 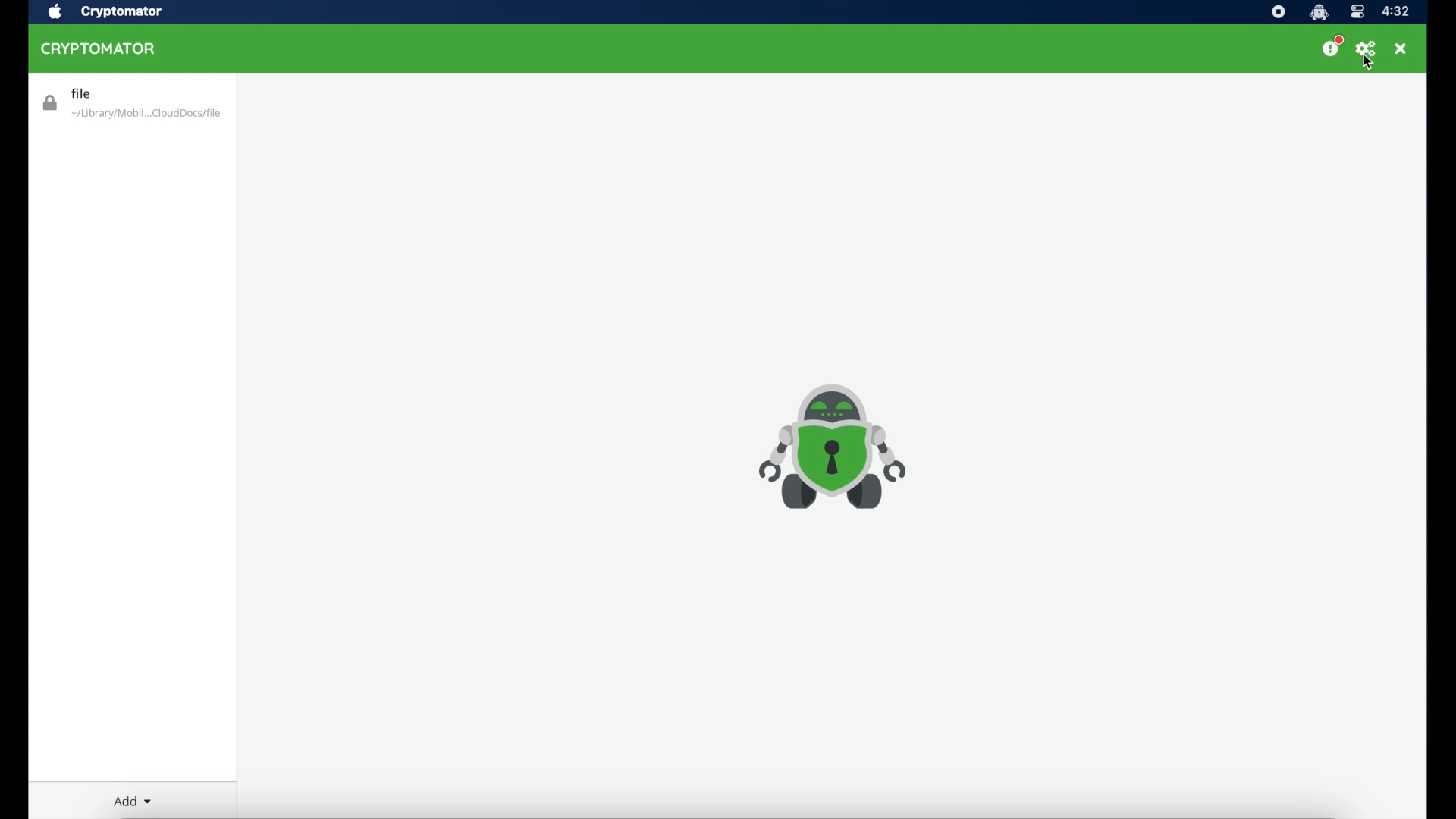 What do you see at coordinates (1371, 63) in the screenshot?
I see `cursor` at bounding box center [1371, 63].